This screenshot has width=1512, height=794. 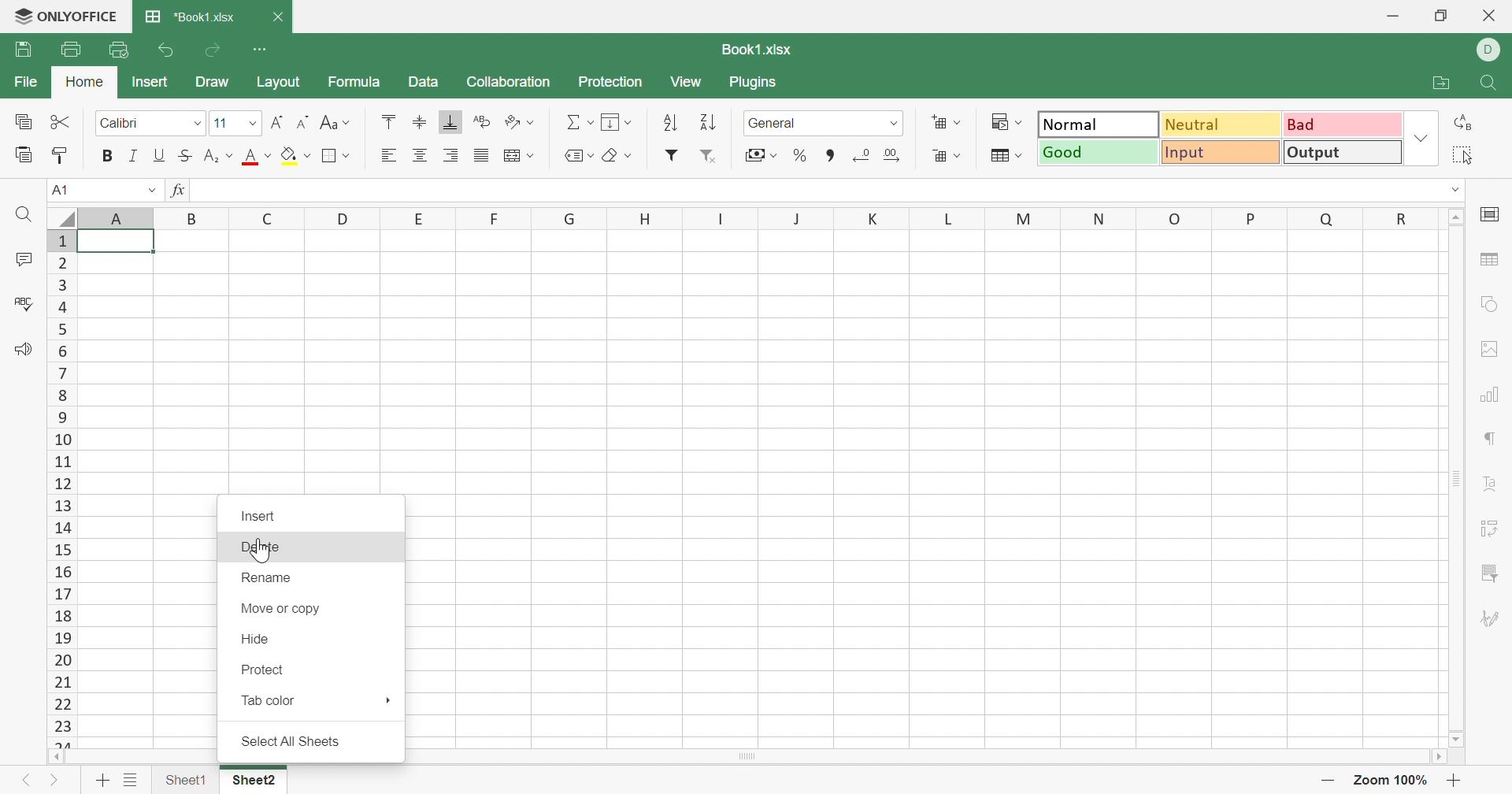 What do you see at coordinates (747, 756) in the screenshot?
I see `Scroll Bar` at bounding box center [747, 756].